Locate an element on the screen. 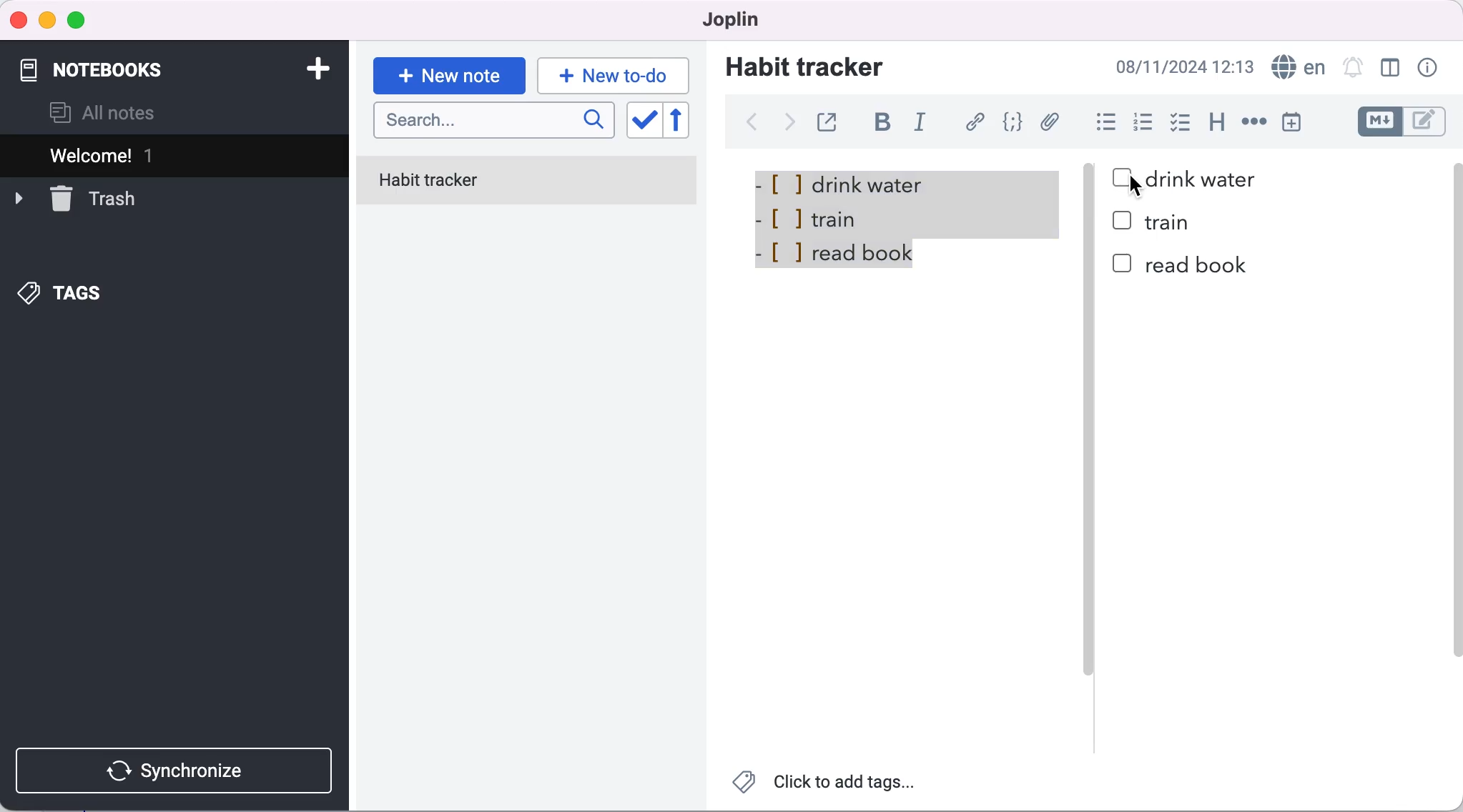 This screenshot has height=812, width=1463. maximize is located at coordinates (79, 21).